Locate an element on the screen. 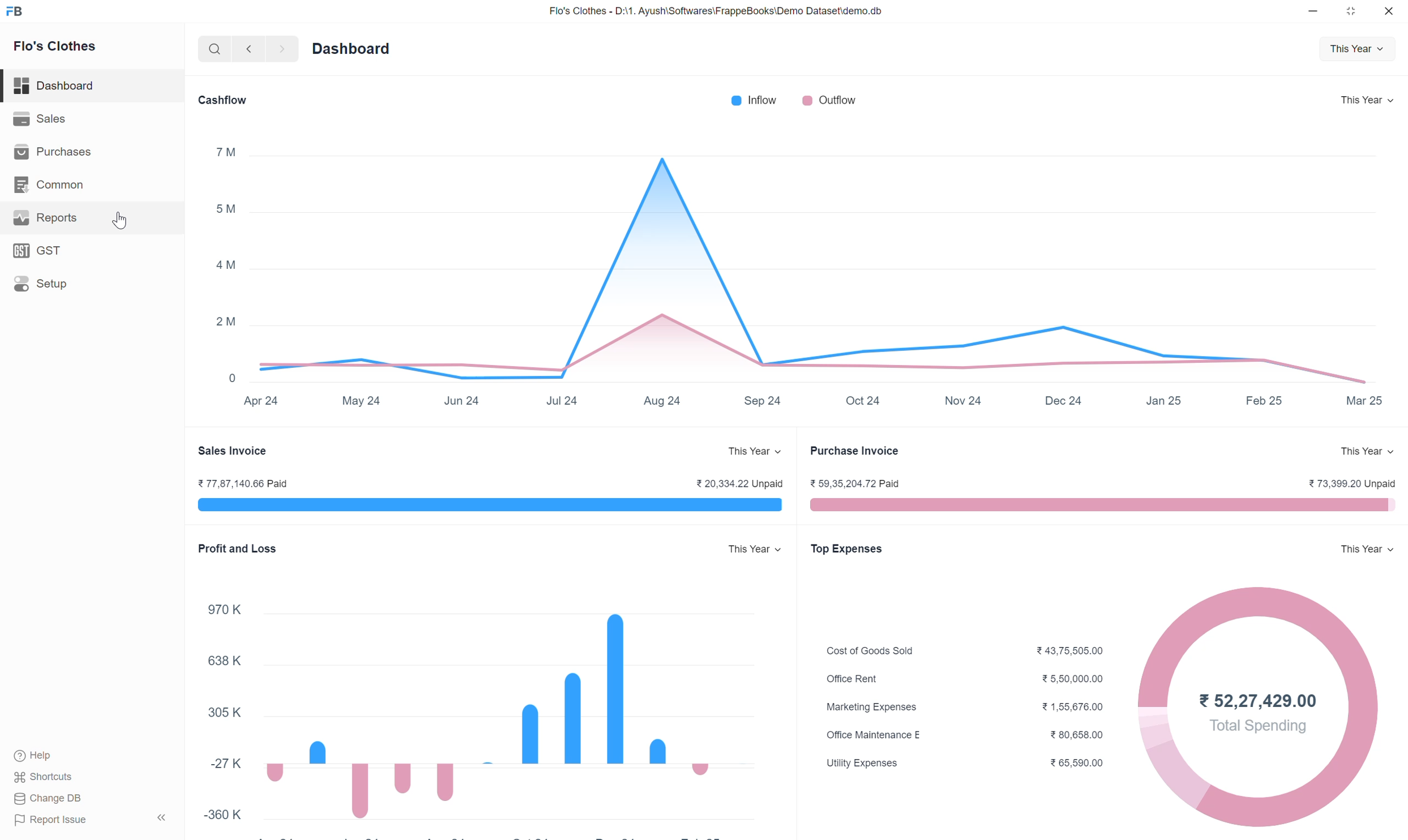 Image resolution: width=1408 pixels, height=840 pixels. Cursor is located at coordinates (122, 221).